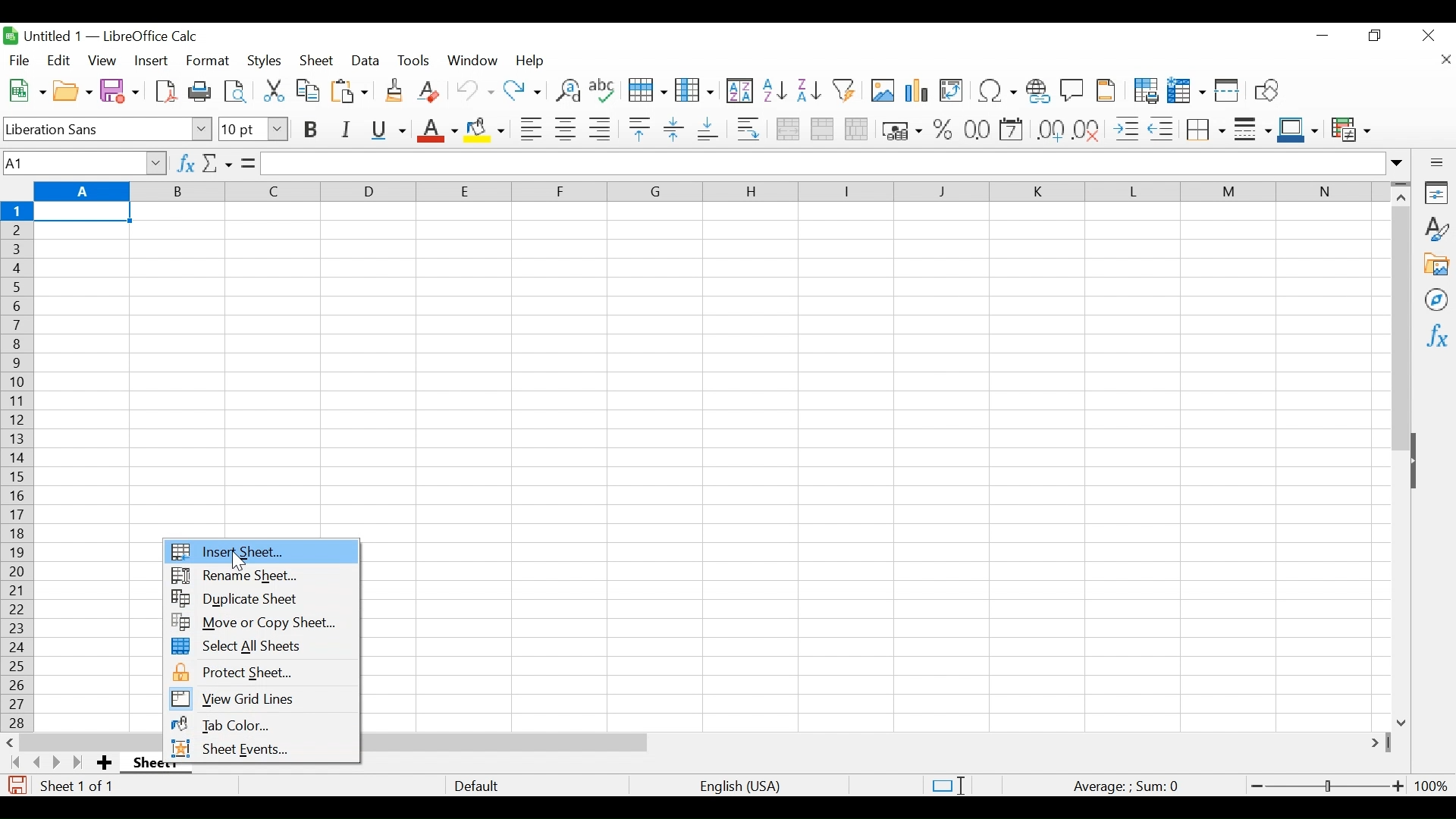 This screenshot has width=1456, height=819. Describe the element at coordinates (712, 371) in the screenshot. I see `` at that location.